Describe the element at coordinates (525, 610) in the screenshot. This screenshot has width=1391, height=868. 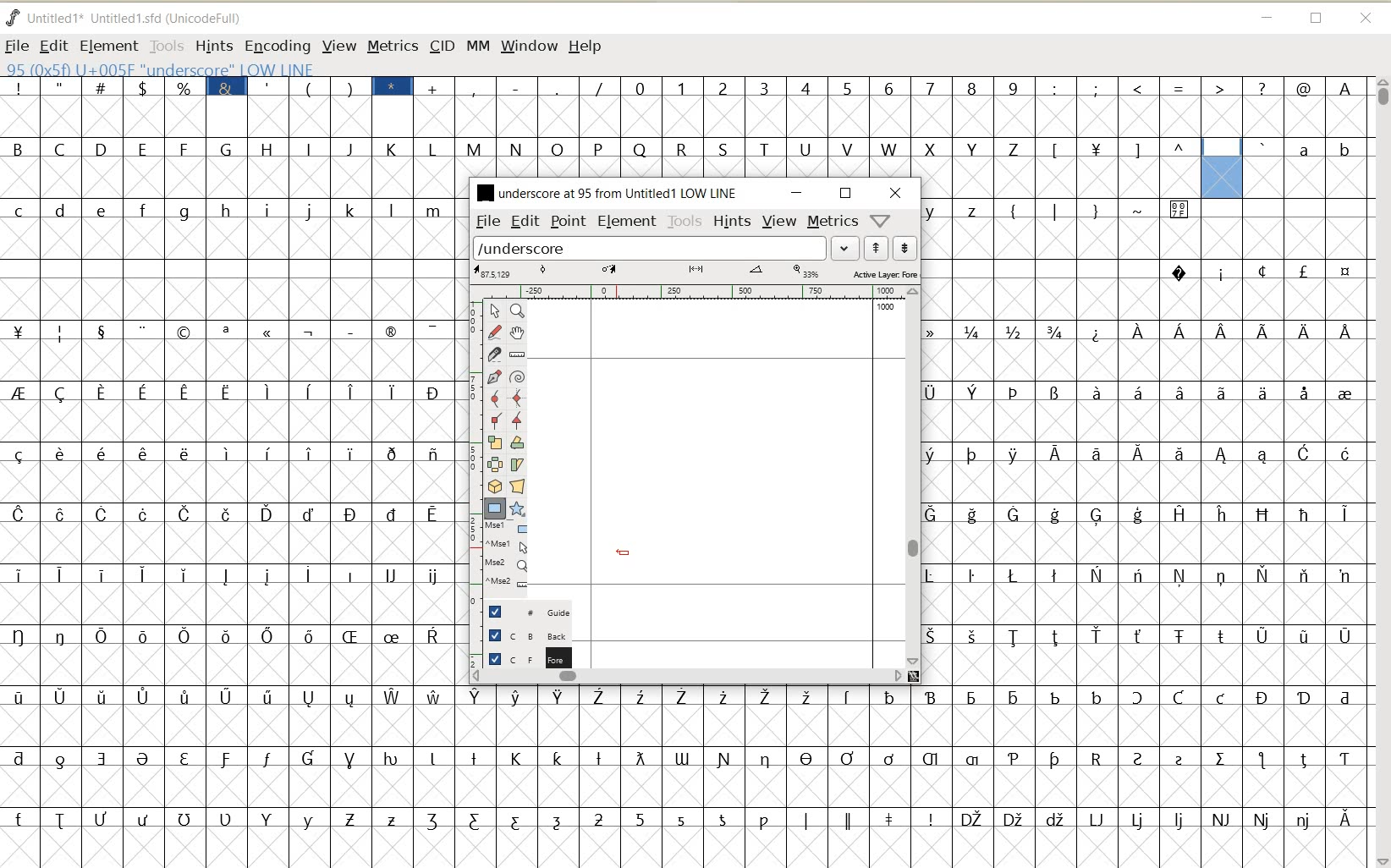
I see `GUIDE` at that location.